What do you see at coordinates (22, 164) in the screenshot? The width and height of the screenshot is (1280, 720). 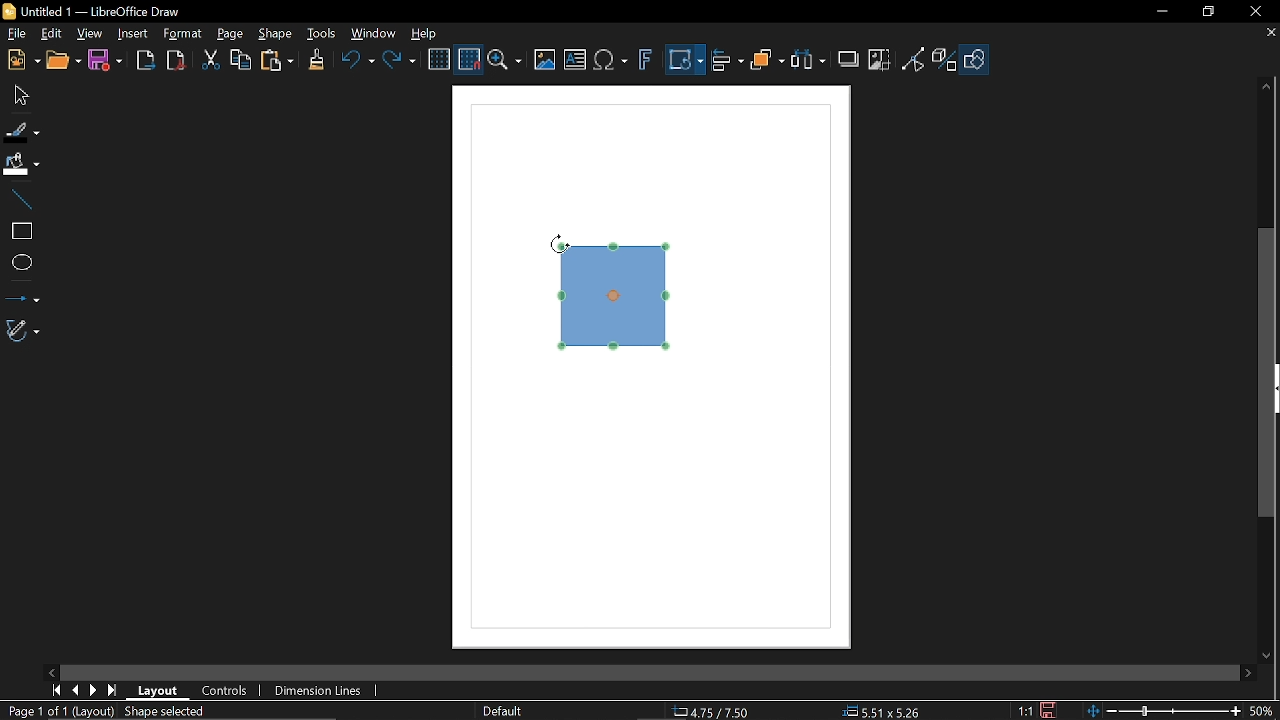 I see `Fill color` at bounding box center [22, 164].